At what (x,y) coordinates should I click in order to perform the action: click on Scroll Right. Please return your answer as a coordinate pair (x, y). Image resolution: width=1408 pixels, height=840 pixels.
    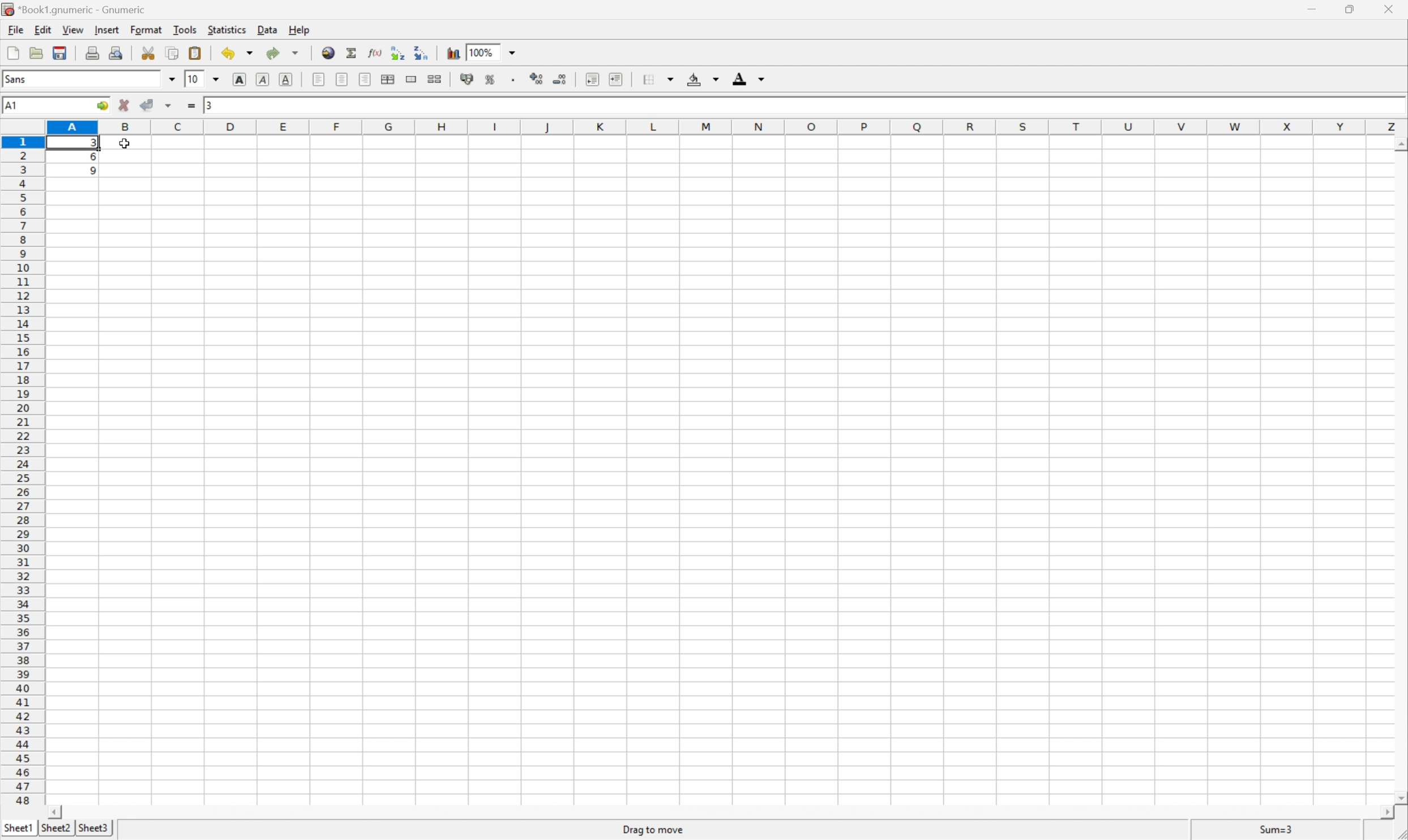
    Looking at the image, I should click on (1383, 813).